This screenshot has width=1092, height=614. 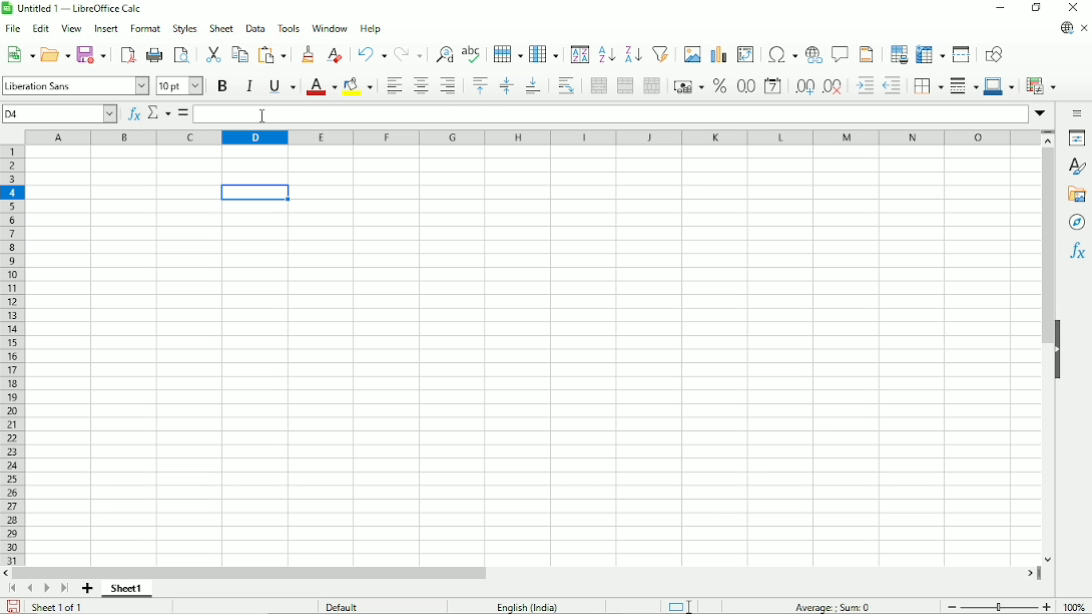 What do you see at coordinates (1077, 138) in the screenshot?
I see `Properties` at bounding box center [1077, 138].